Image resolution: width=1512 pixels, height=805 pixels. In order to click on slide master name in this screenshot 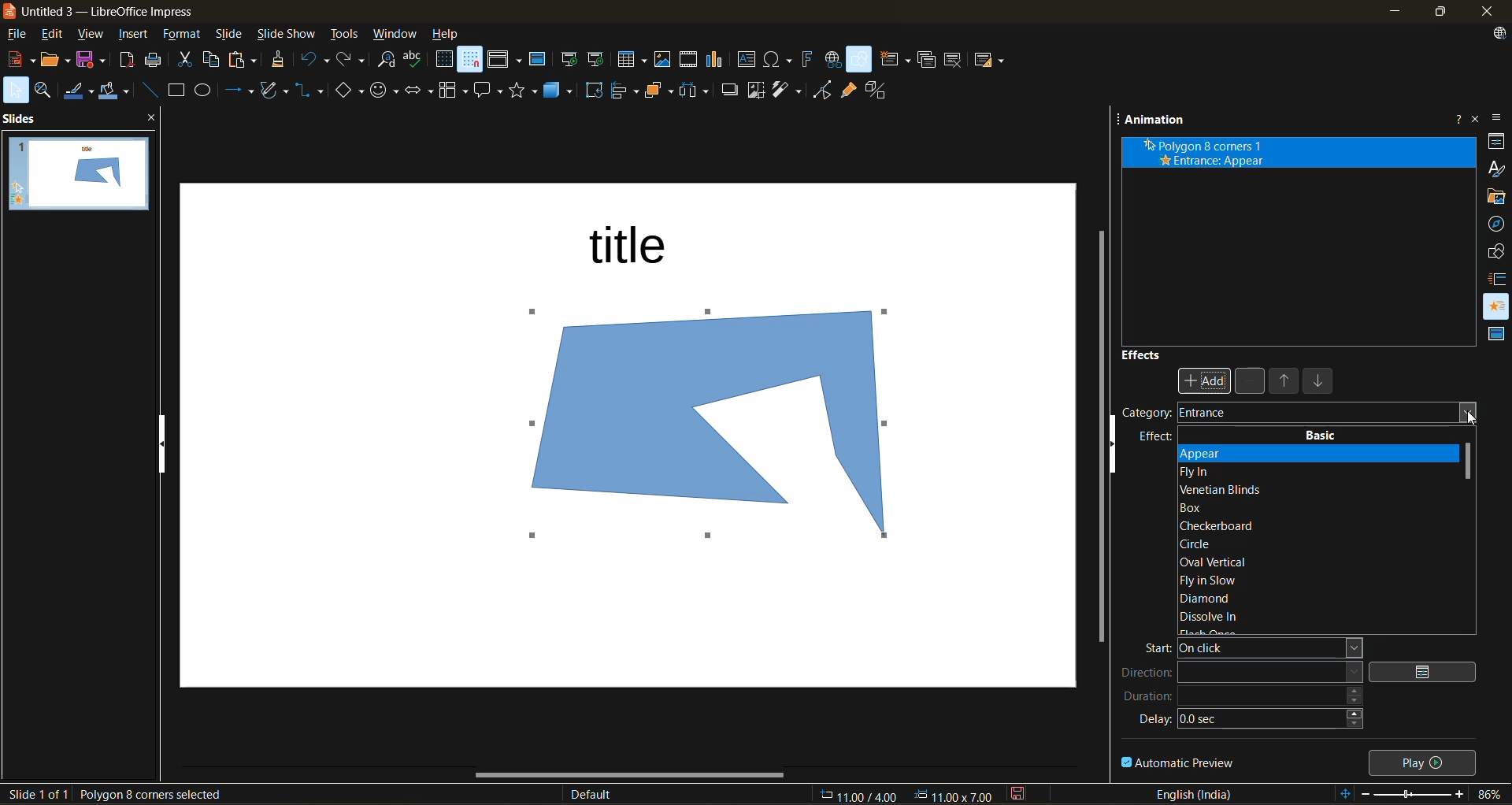, I will do `click(598, 796)`.